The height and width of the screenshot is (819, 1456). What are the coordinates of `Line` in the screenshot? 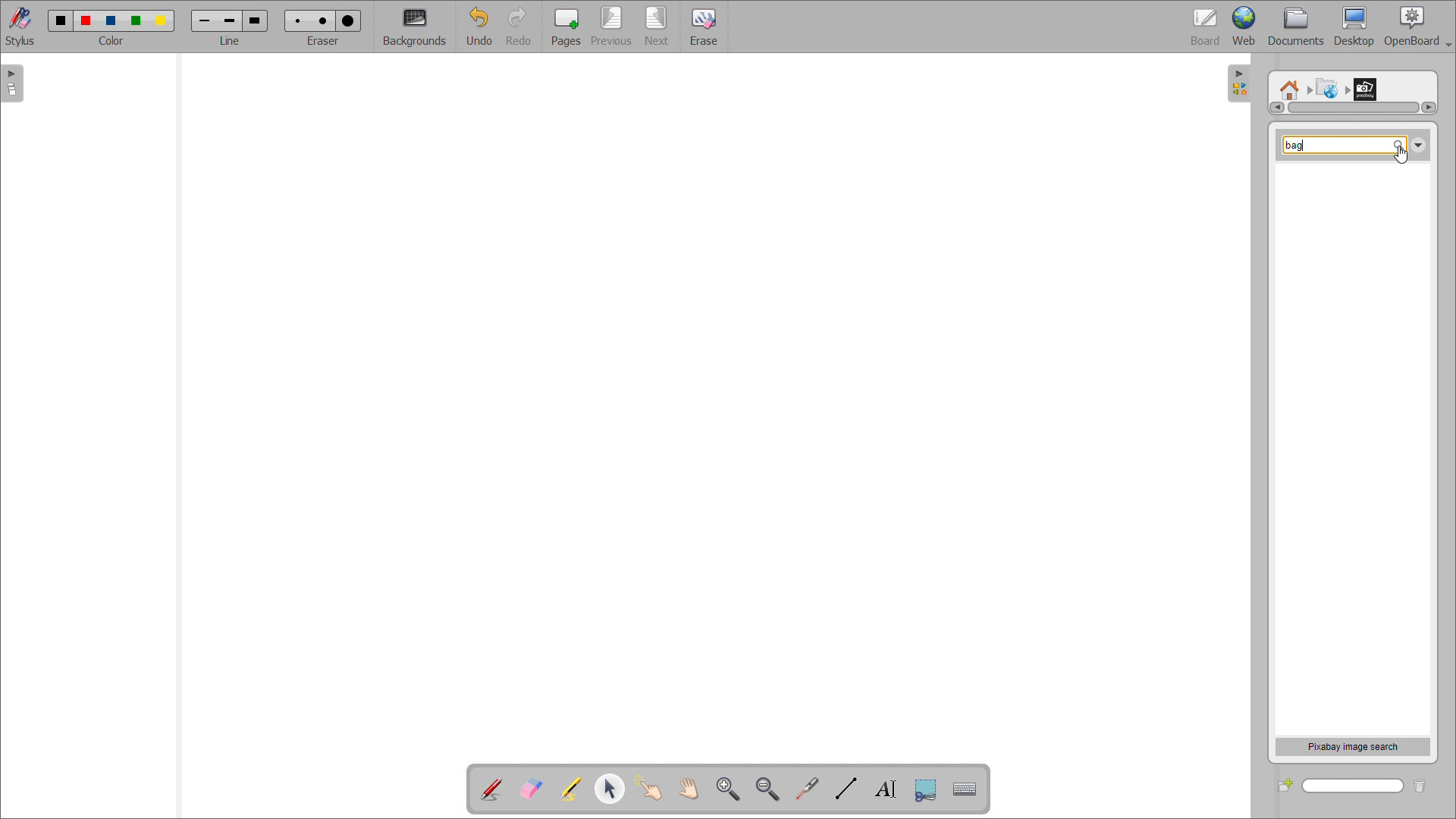 It's located at (231, 41).